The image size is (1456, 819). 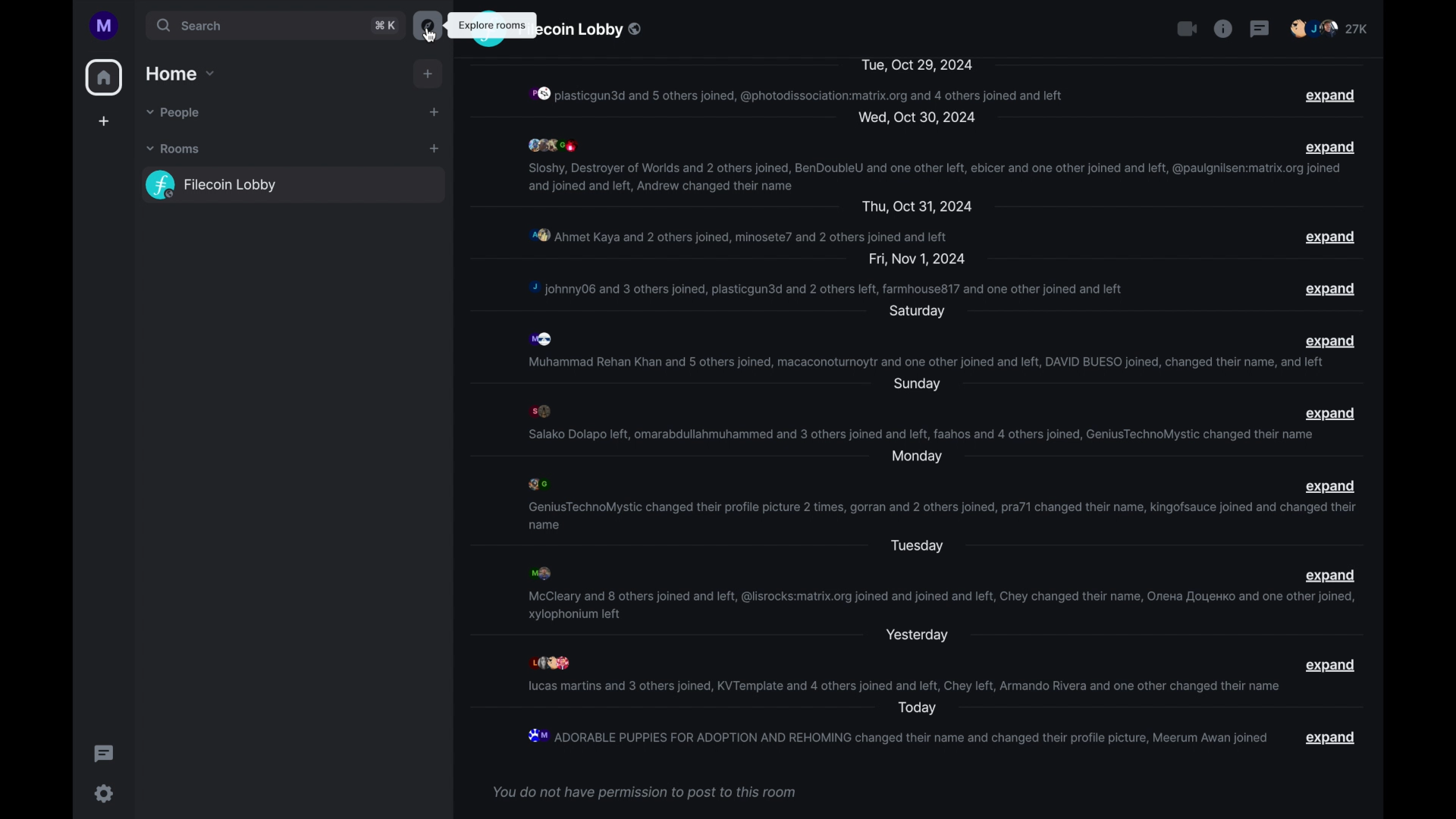 I want to click on home, so click(x=105, y=77).